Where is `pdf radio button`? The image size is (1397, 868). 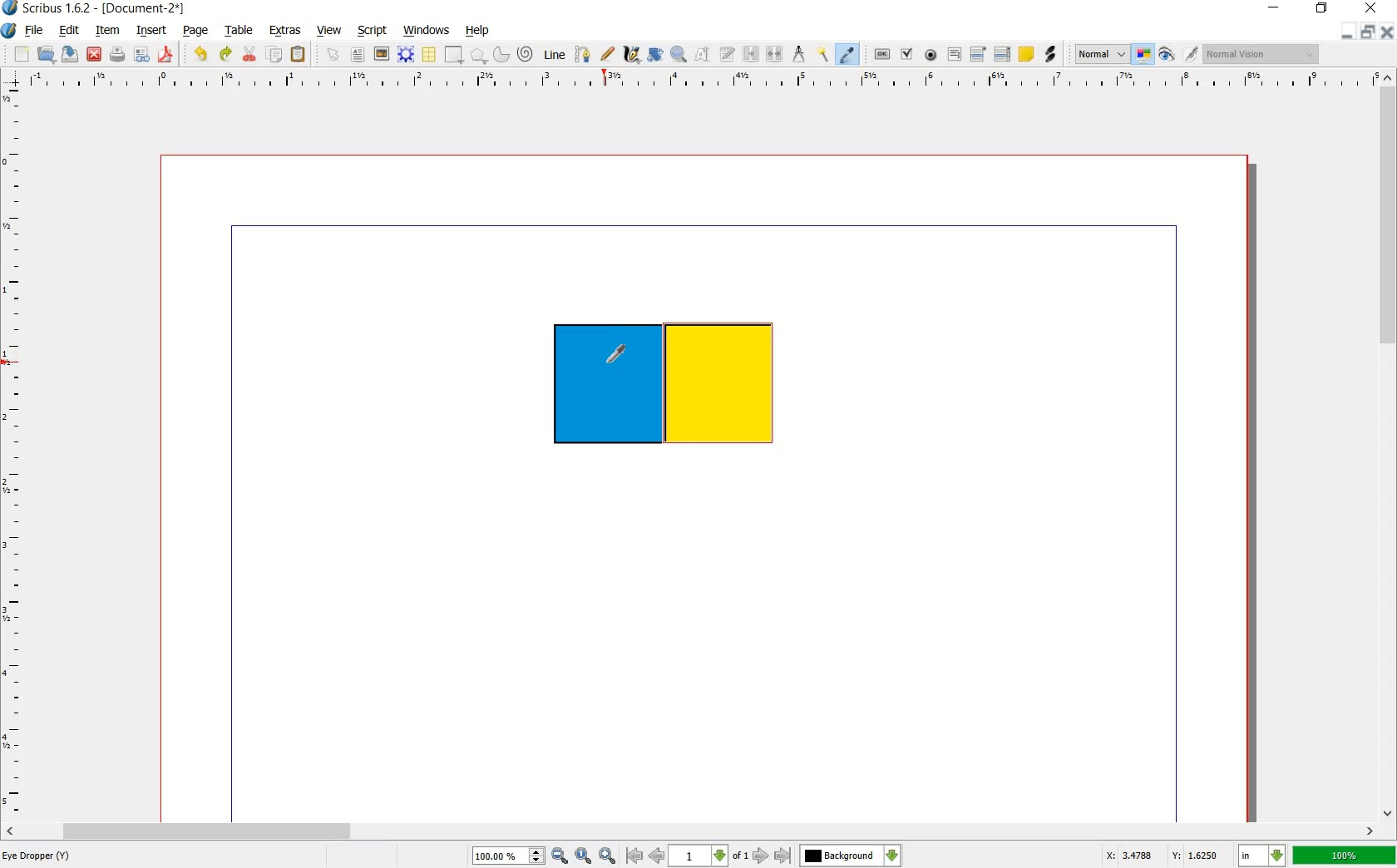
pdf radio button is located at coordinates (932, 55).